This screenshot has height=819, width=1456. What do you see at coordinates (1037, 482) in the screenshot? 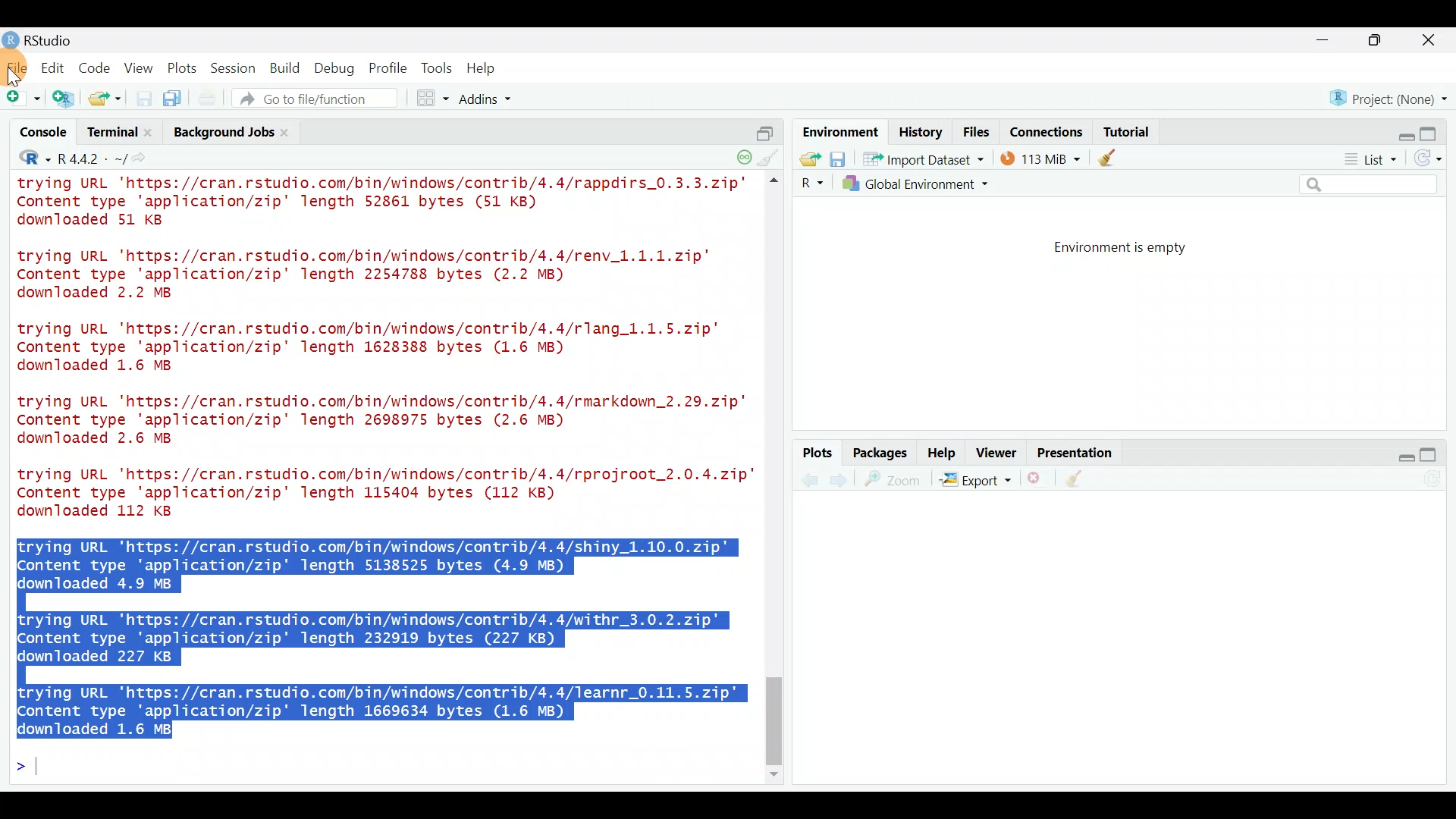
I see `remove the current plot` at bounding box center [1037, 482].